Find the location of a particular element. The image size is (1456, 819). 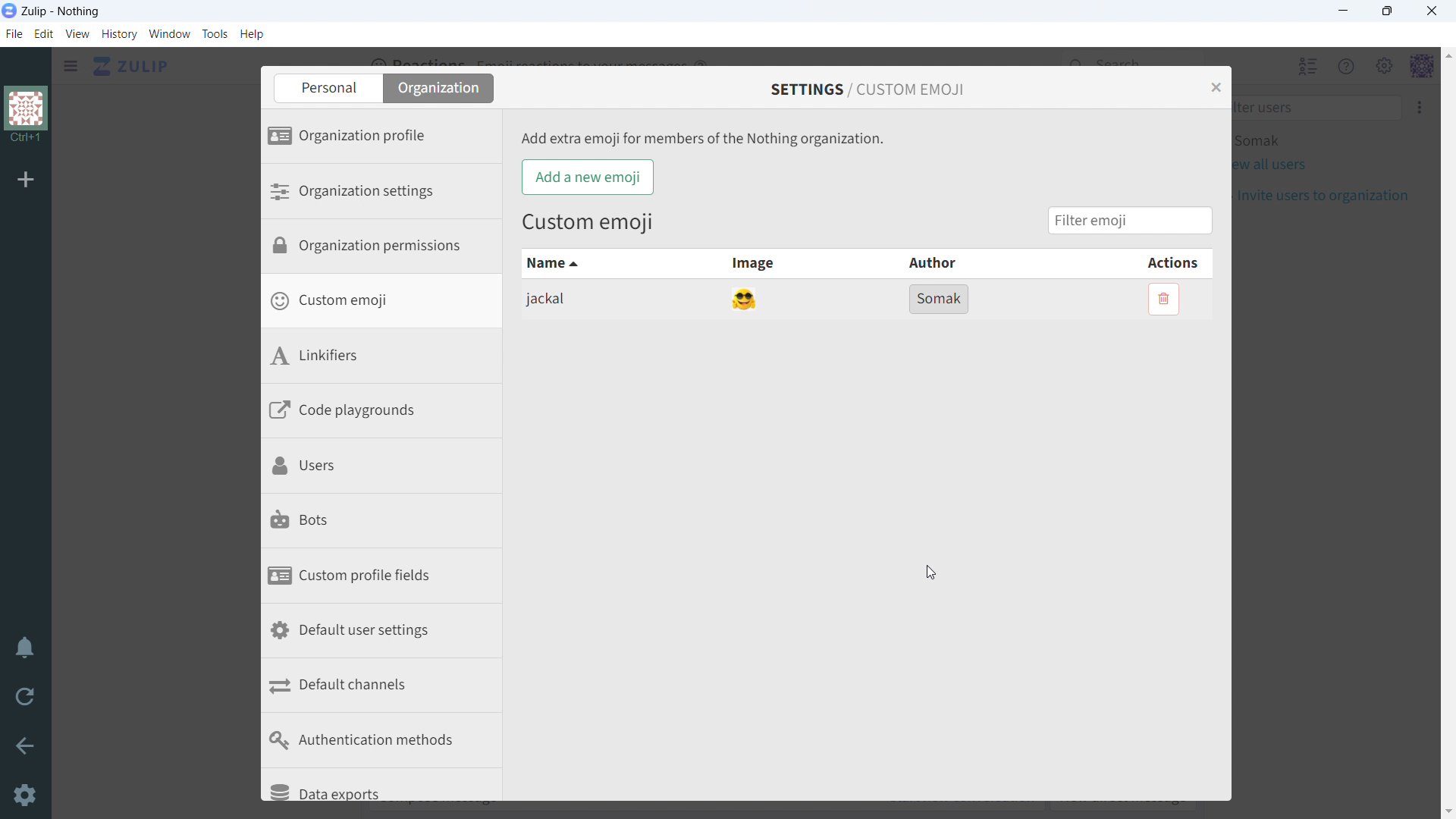

enable do not disturb is located at coordinates (24, 649).